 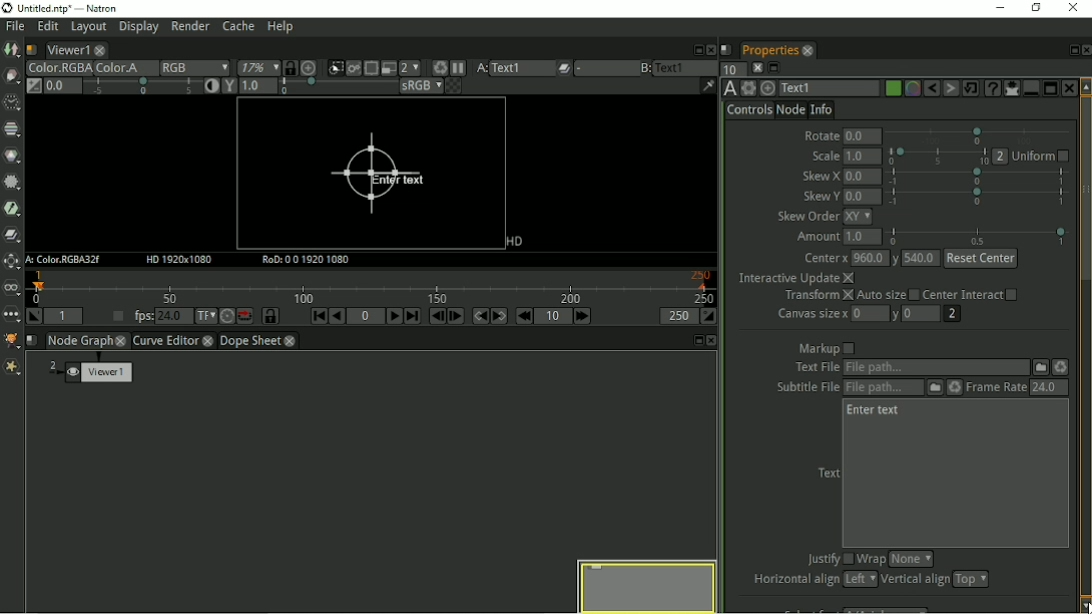 I want to click on selection bar, so click(x=980, y=197).